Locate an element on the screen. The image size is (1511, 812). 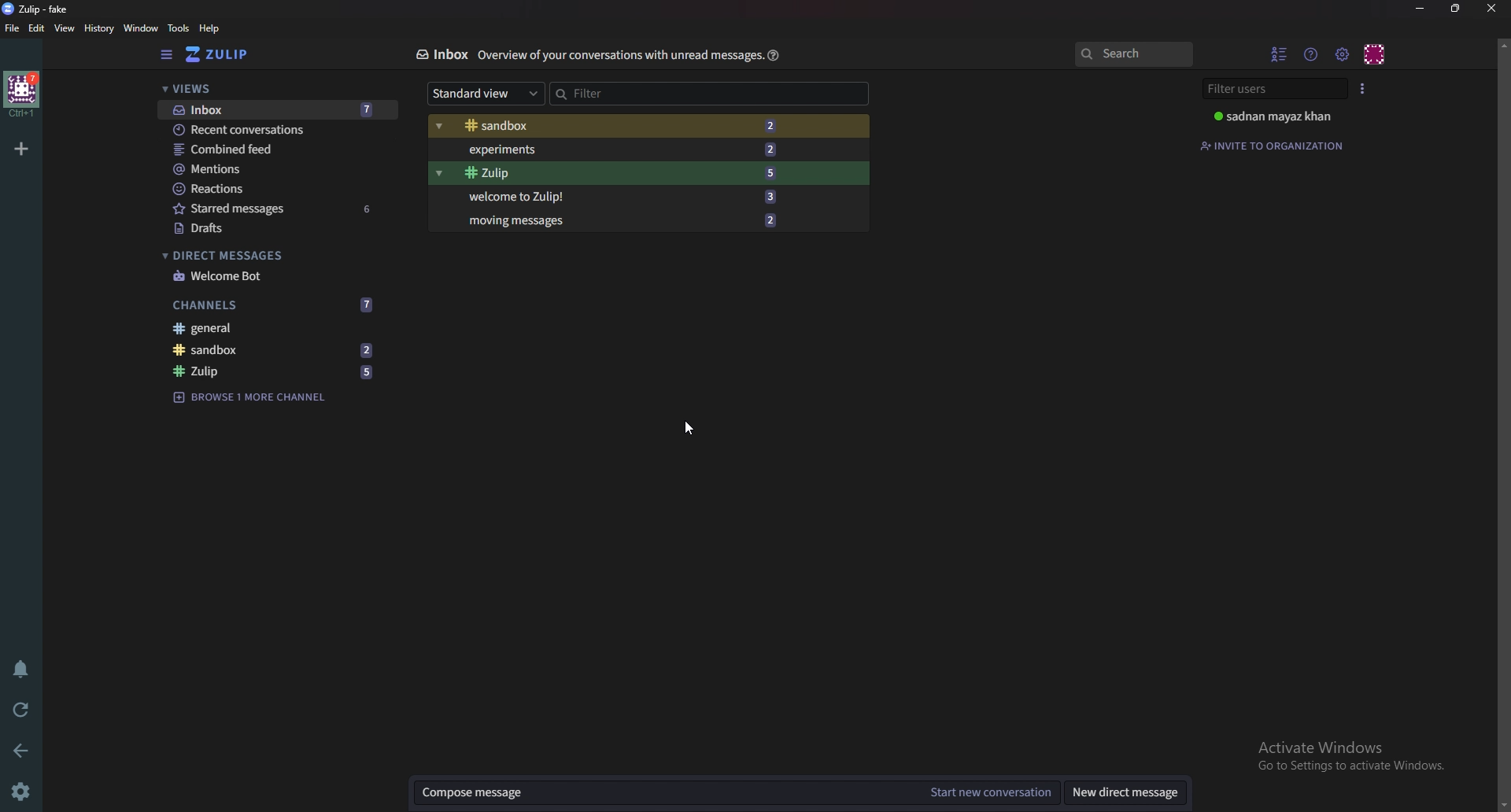
Welcome to zulip is located at coordinates (618, 195).